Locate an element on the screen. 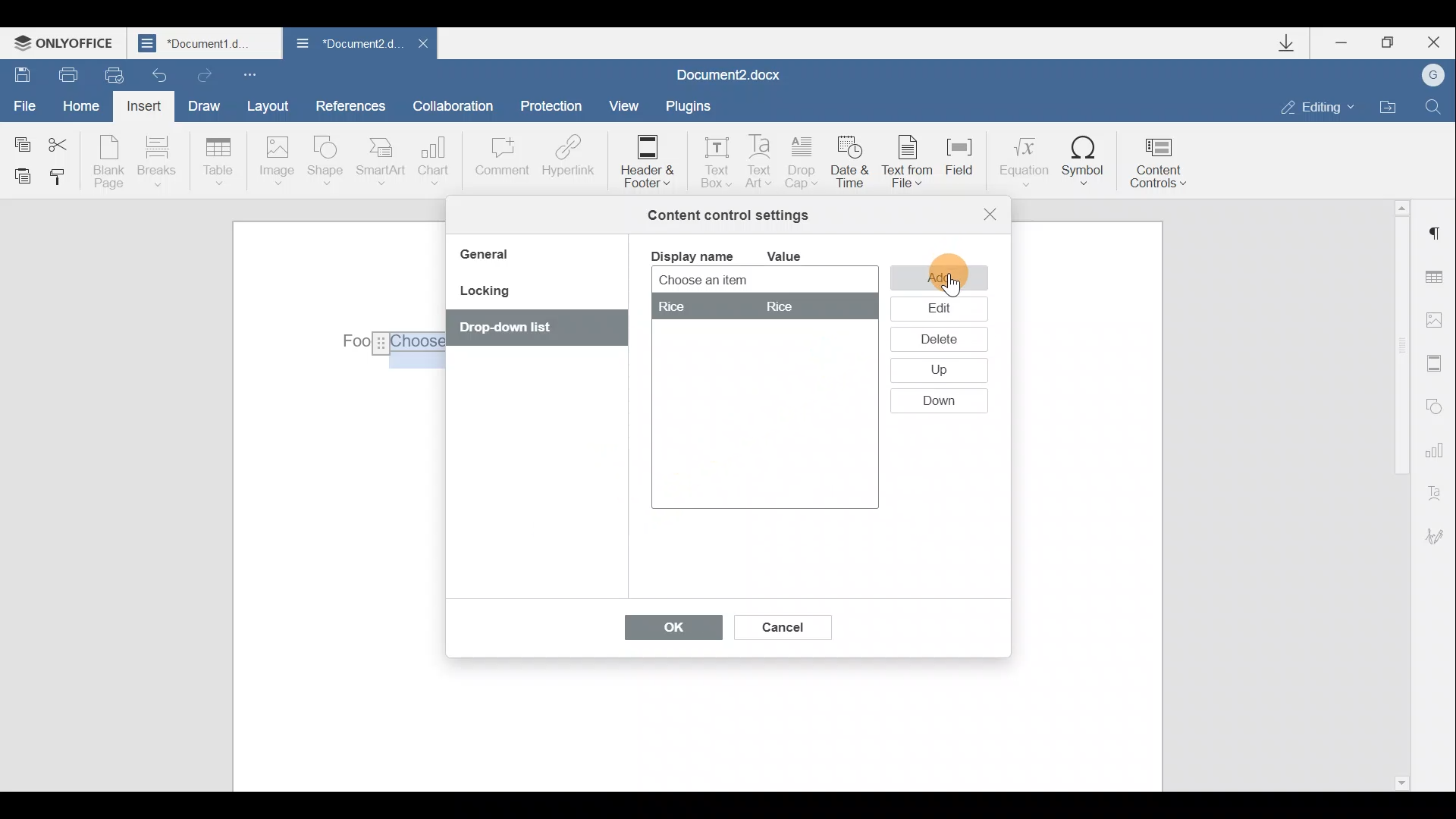  Plugins is located at coordinates (693, 106).